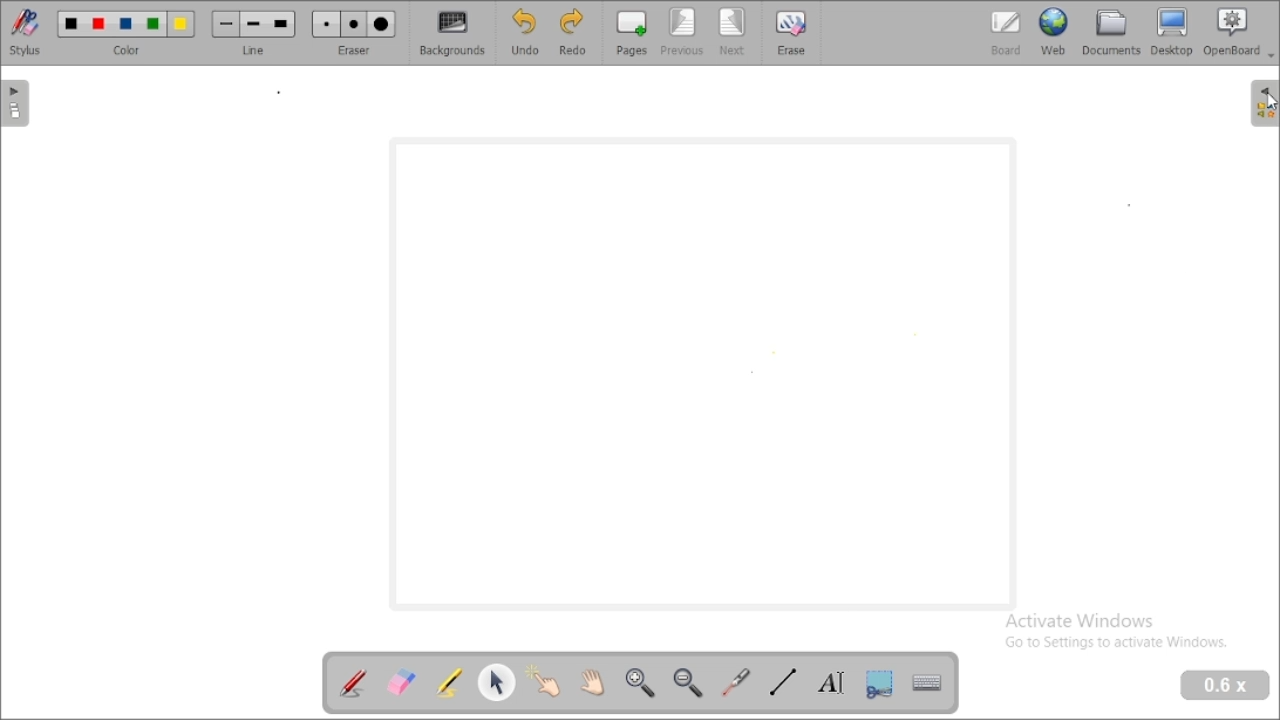 The width and height of the screenshot is (1280, 720). I want to click on documents, so click(1112, 32).